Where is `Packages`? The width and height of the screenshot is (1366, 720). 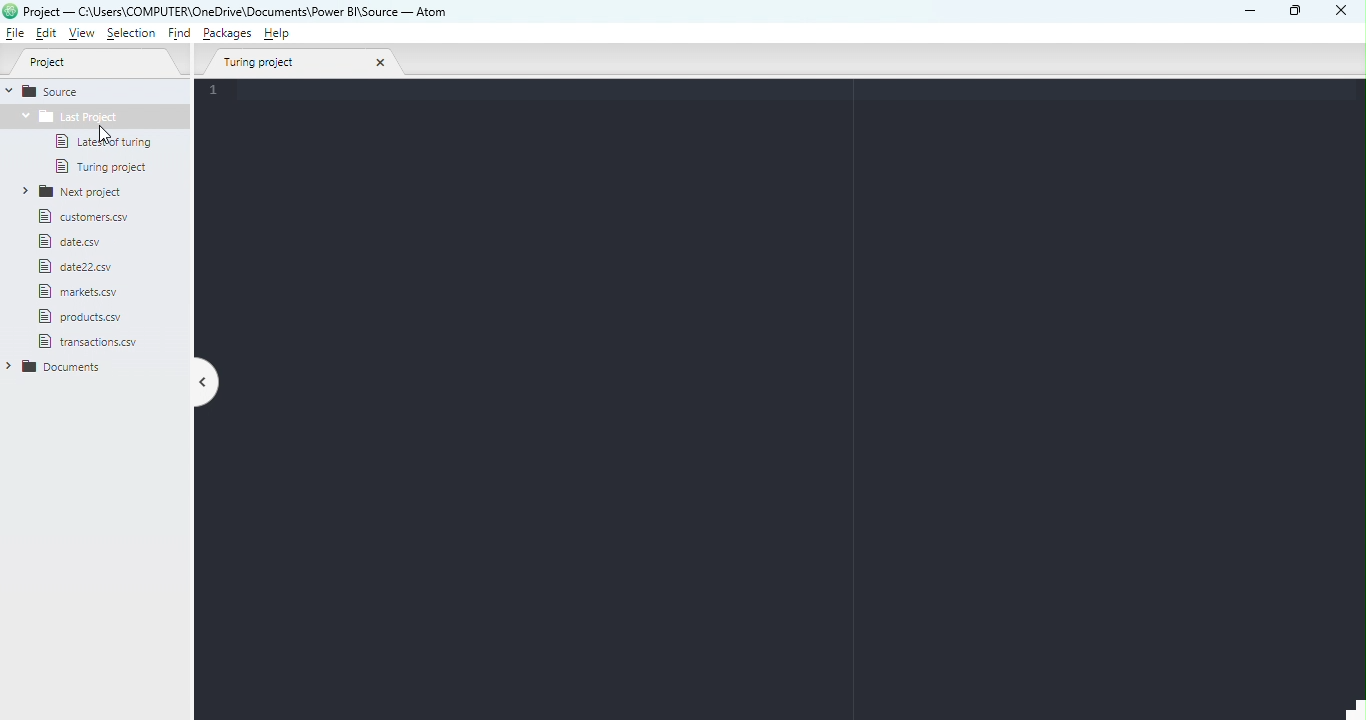 Packages is located at coordinates (229, 33).